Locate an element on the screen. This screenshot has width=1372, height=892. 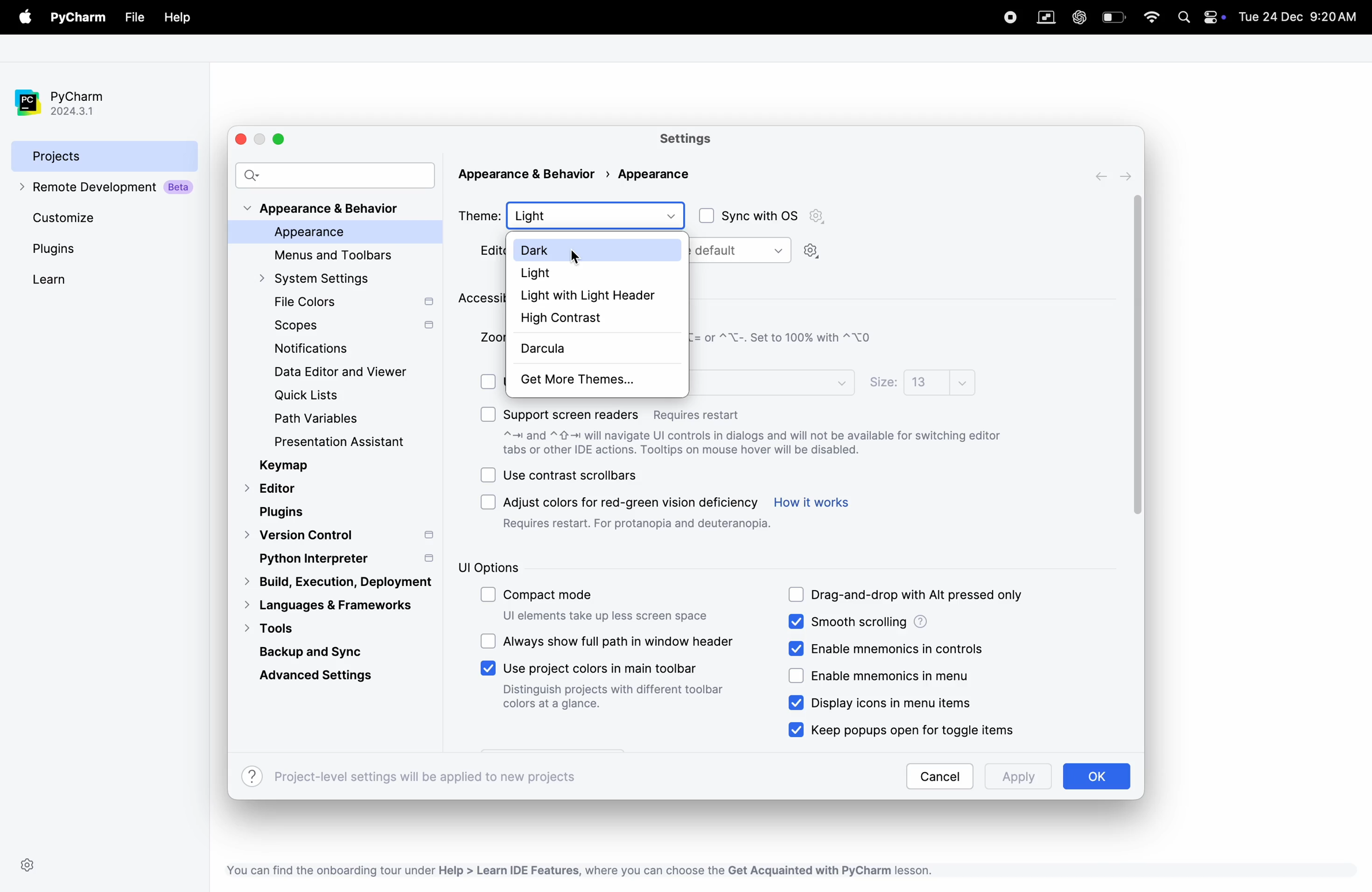
settings is located at coordinates (812, 252).